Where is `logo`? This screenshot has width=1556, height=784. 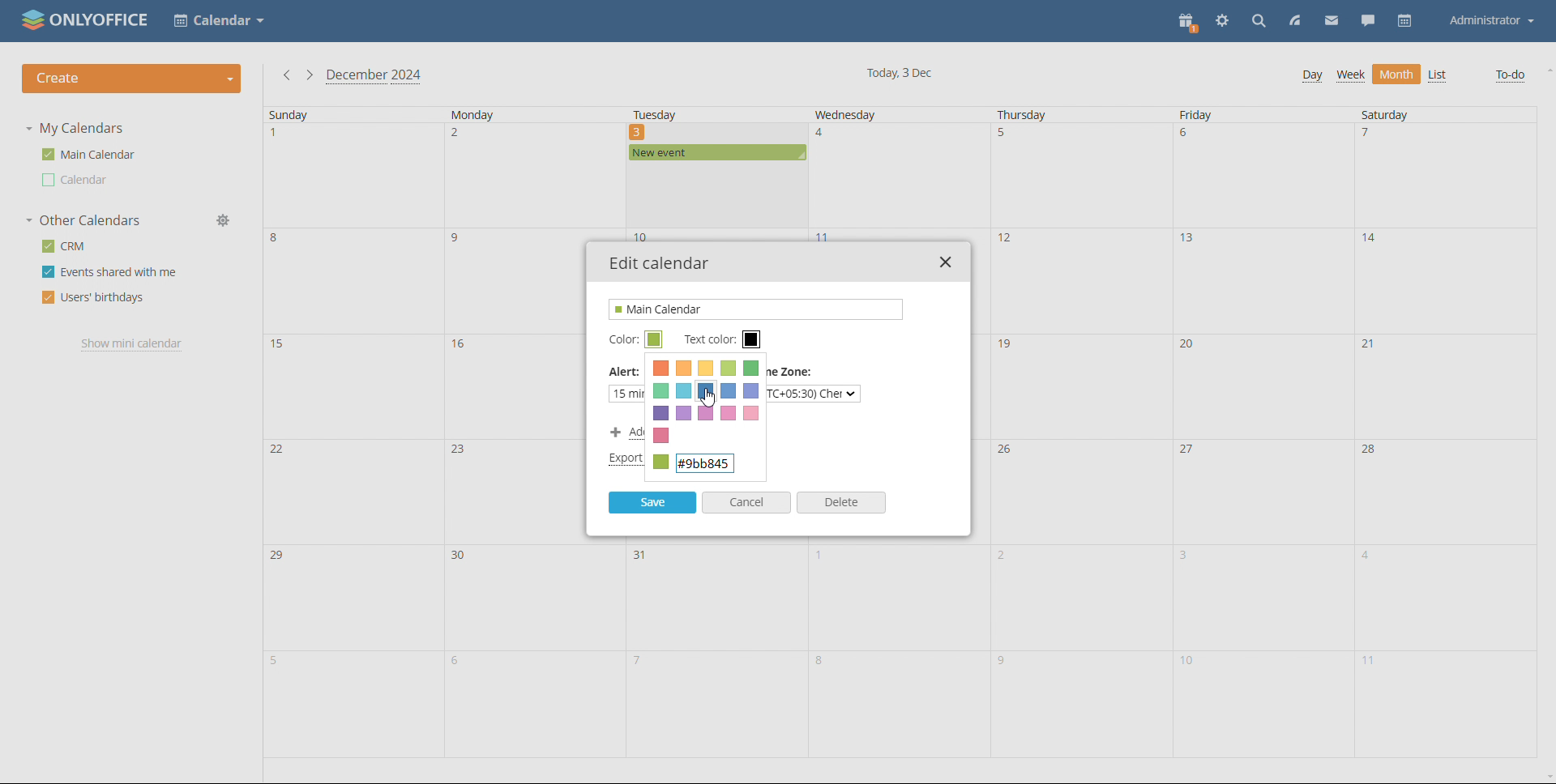 logo is located at coordinates (86, 19).